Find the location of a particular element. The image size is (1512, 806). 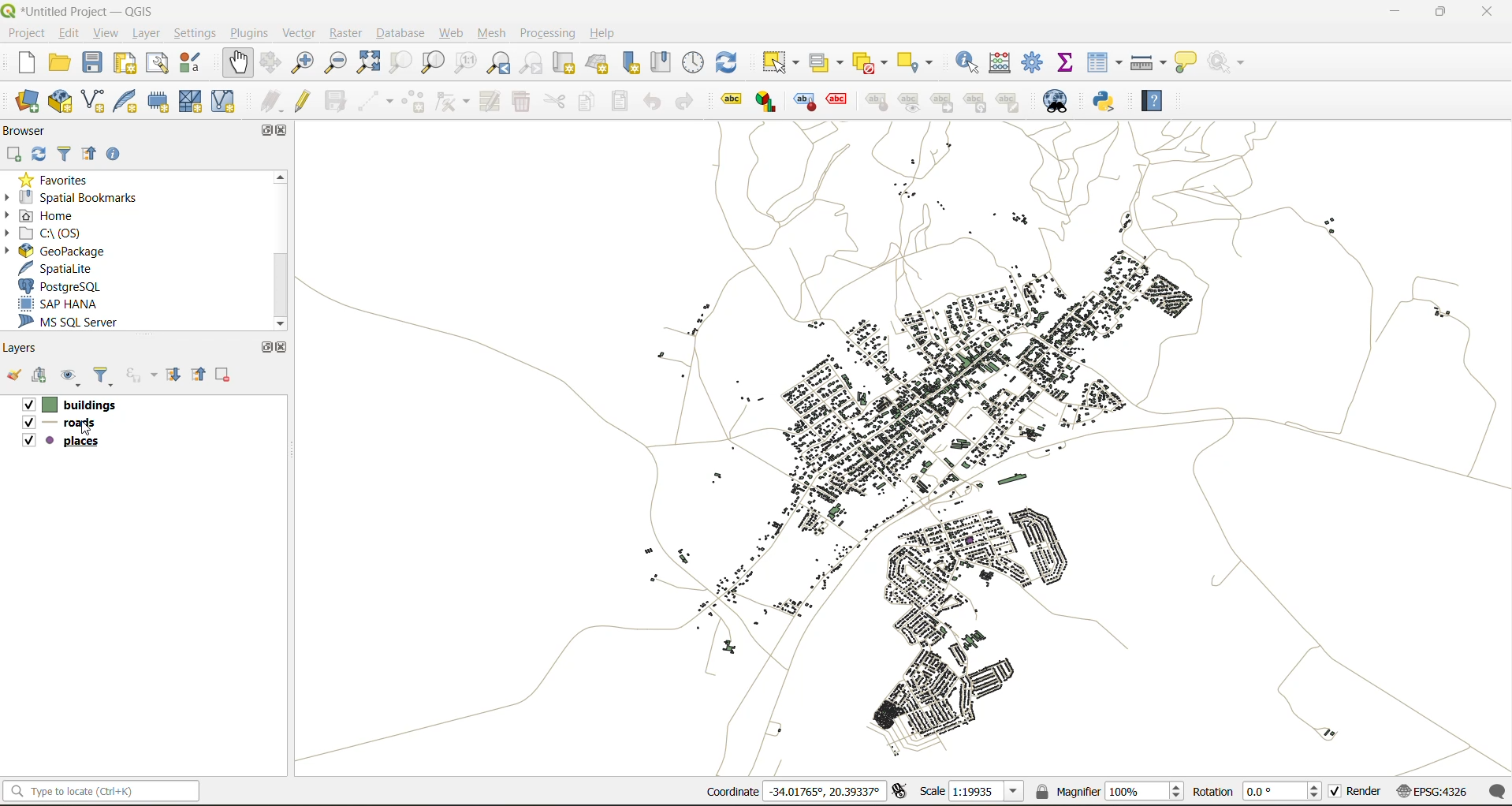

maximize is located at coordinates (266, 349).